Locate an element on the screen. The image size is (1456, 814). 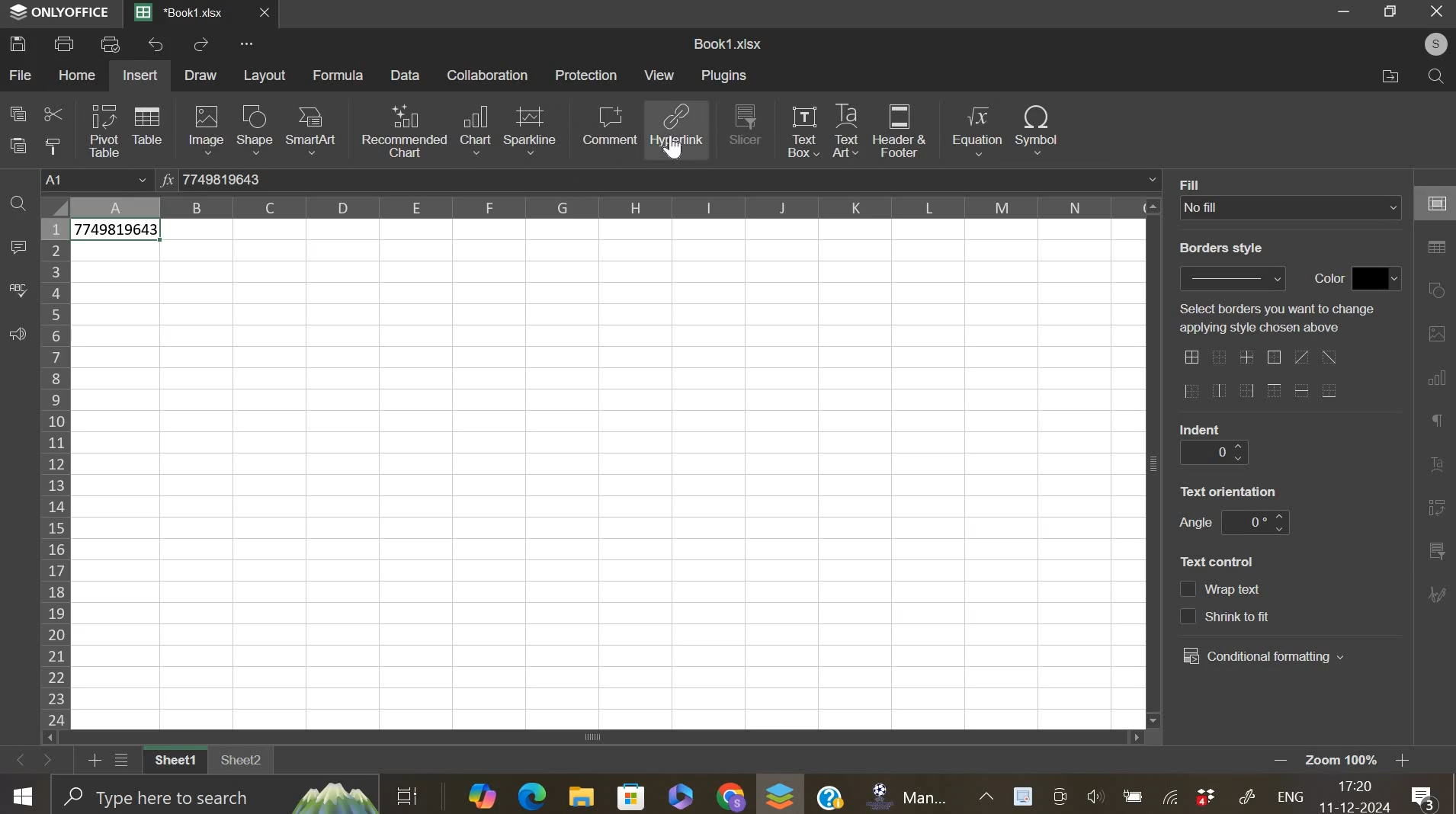
protection is located at coordinates (586, 75).